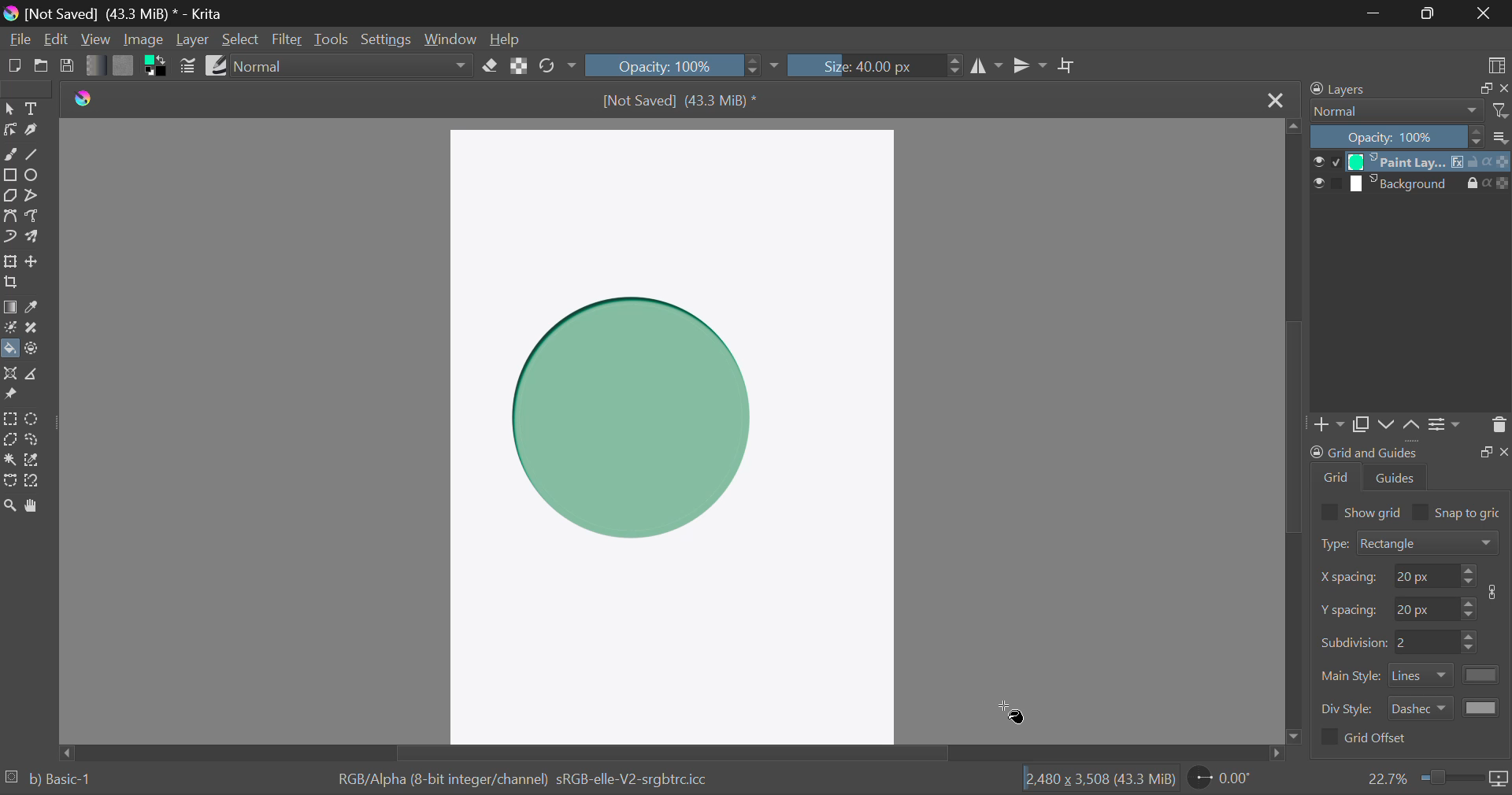  I want to click on Close, so click(1484, 13).